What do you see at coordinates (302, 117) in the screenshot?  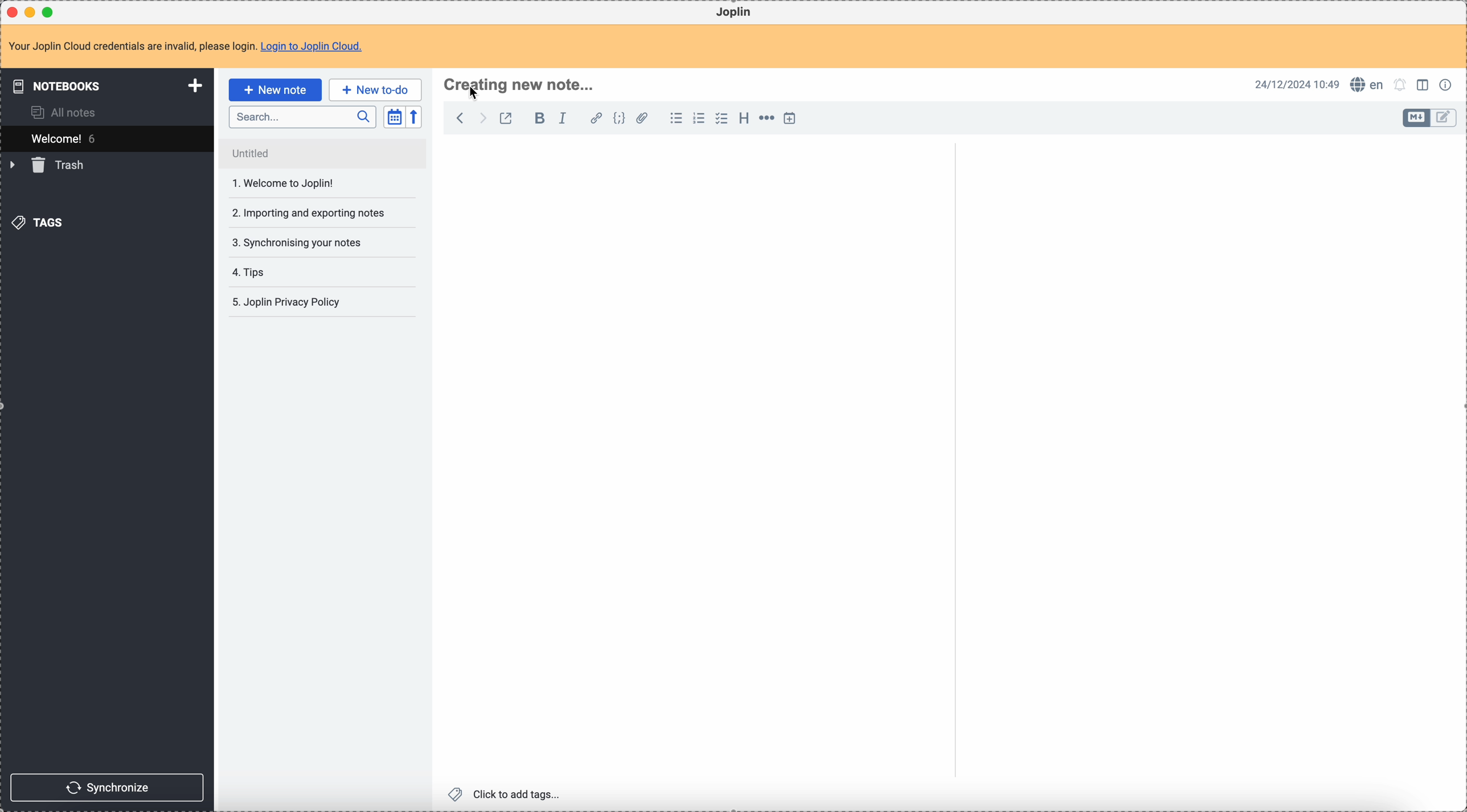 I see `search bar` at bounding box center [302, 117].